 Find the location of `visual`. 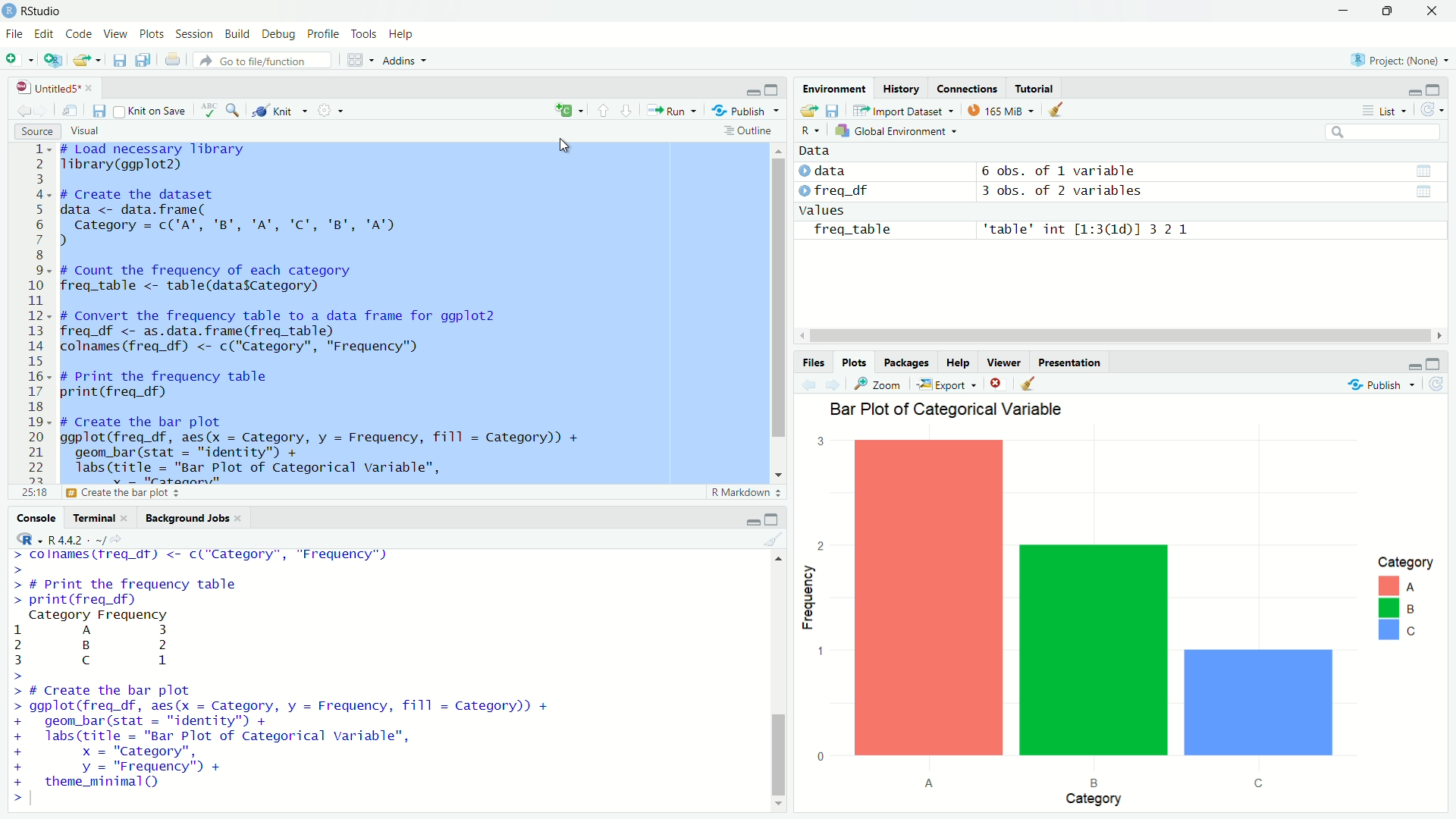

visual is located at coordinates (84, 131).